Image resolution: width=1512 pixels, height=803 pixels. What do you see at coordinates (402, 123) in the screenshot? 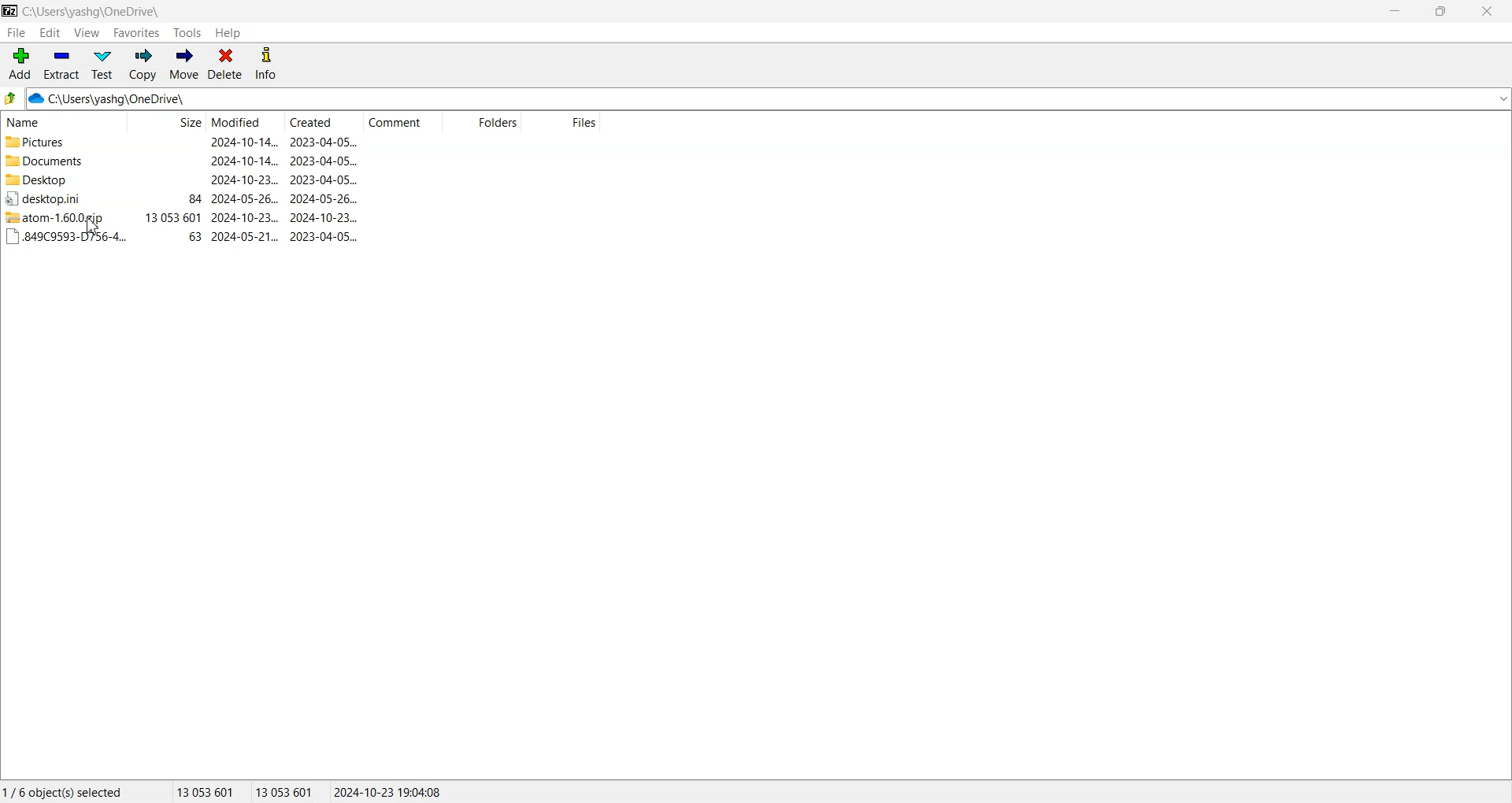
I see `Comment` at bounding box center [402, 123].